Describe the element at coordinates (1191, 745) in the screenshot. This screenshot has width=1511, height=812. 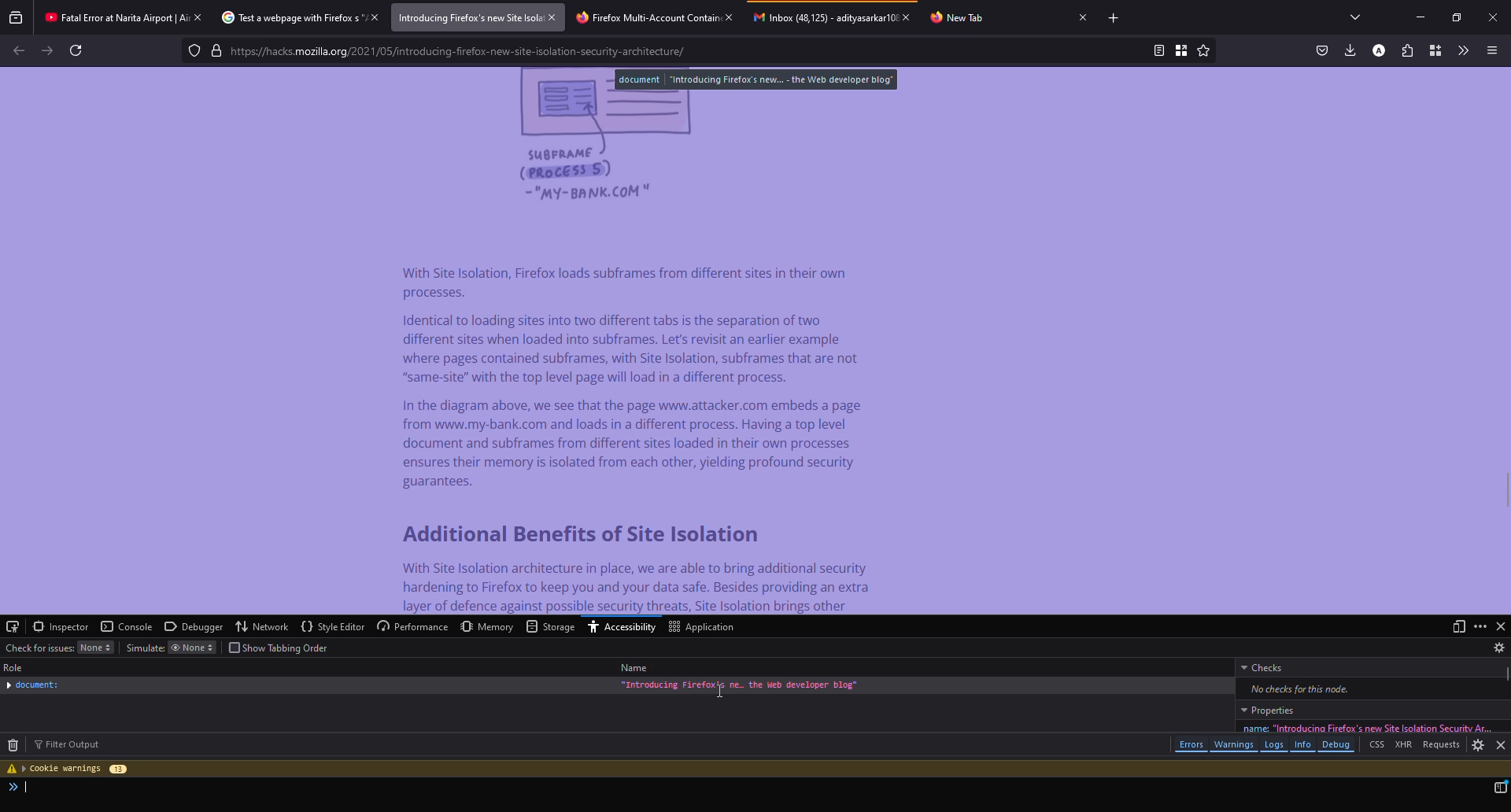
I see `errors` at that location.